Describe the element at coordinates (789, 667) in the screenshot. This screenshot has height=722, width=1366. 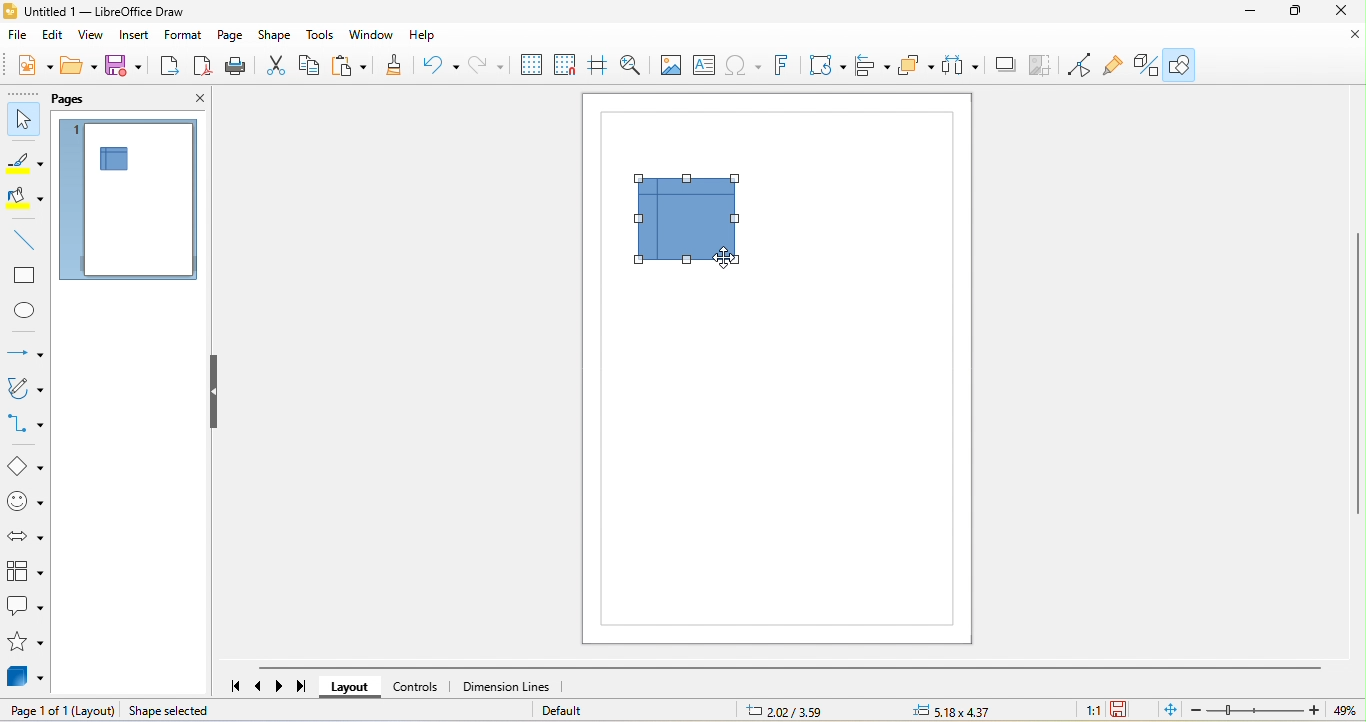
I see `horizontal scroll bar` at that location.